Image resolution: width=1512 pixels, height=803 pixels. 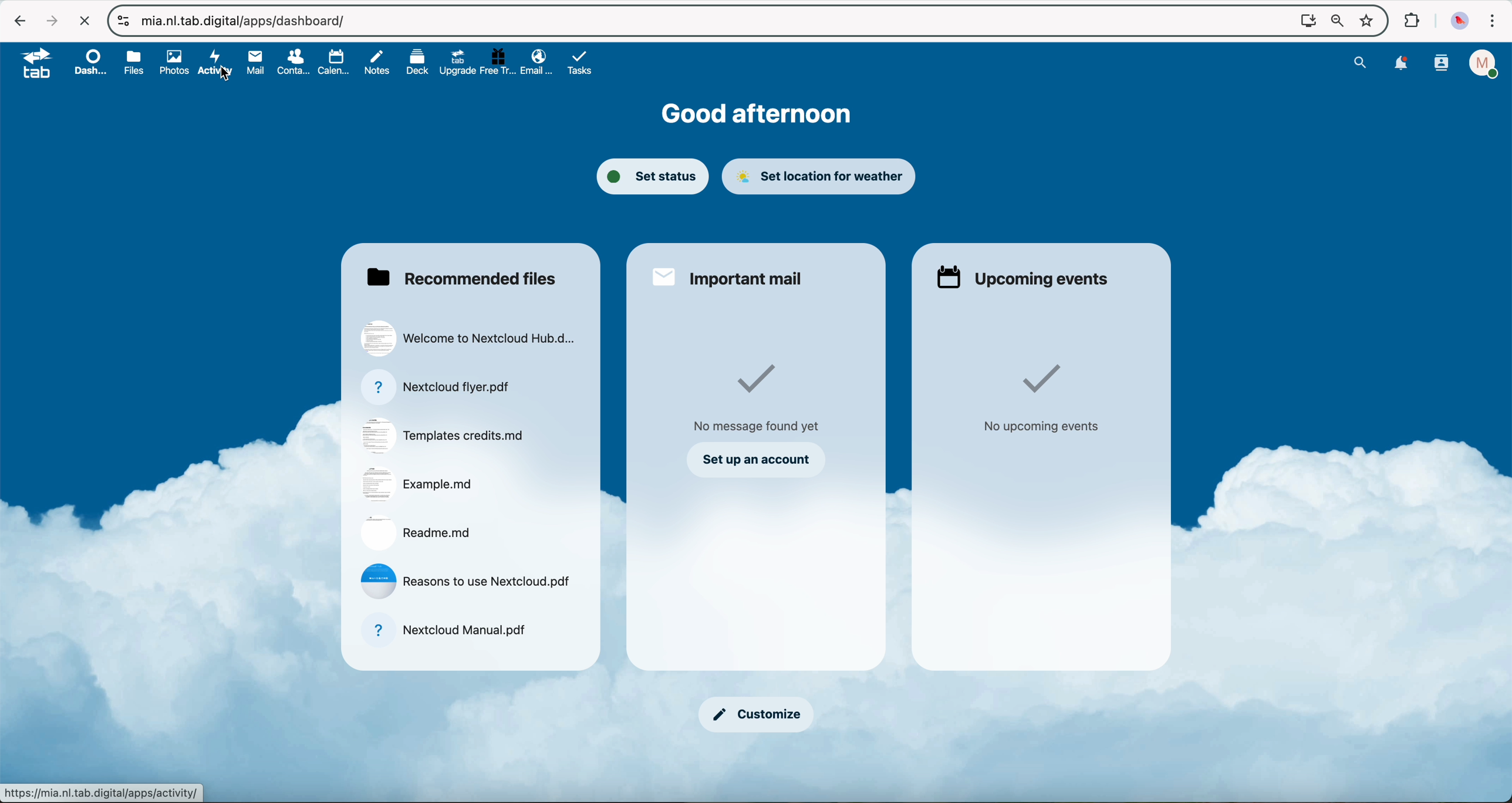 What do you see at coordinates (1369, 21) in the screenshot?
I see `favorites` at bounding box center [1369, 21].